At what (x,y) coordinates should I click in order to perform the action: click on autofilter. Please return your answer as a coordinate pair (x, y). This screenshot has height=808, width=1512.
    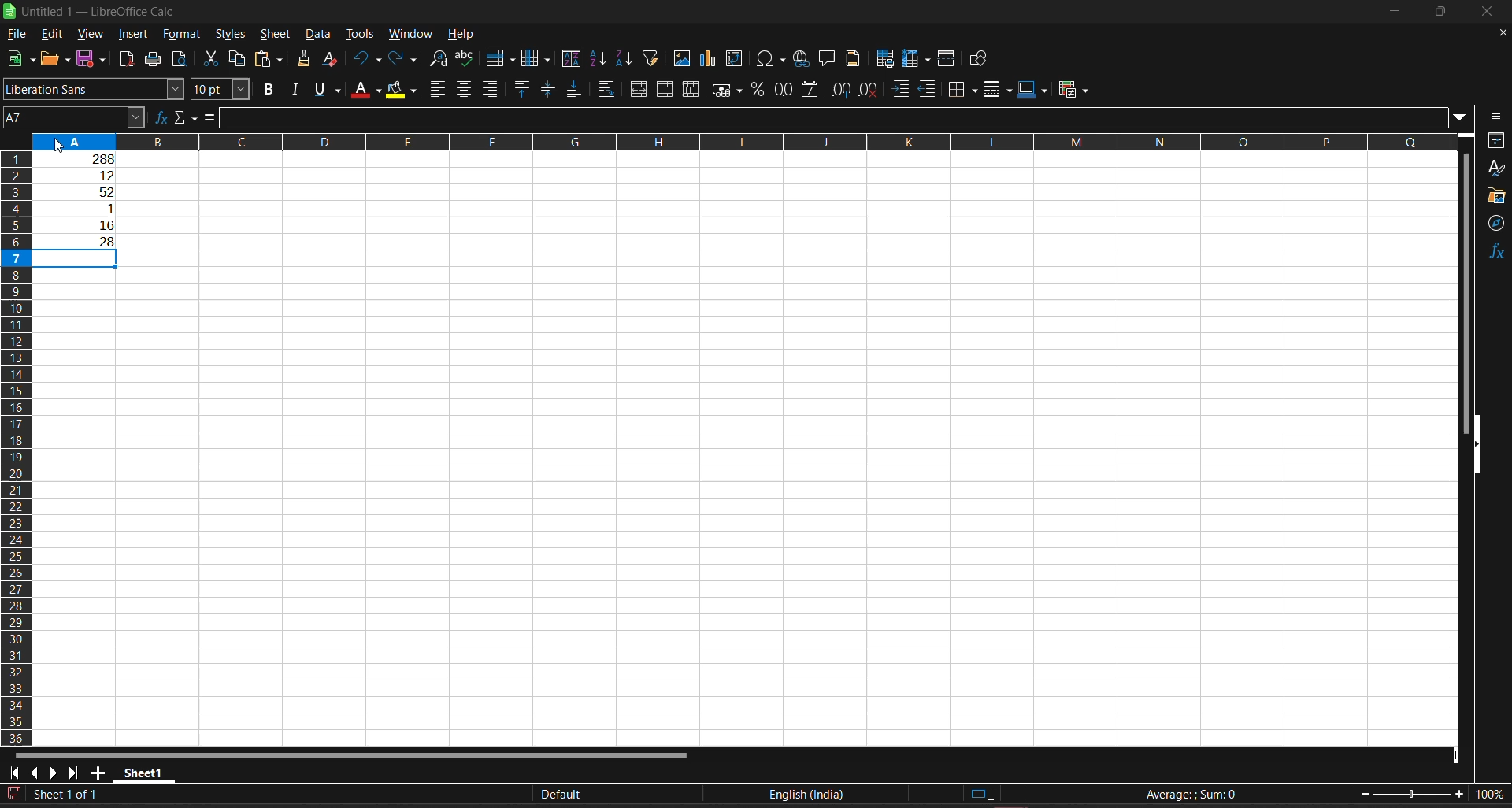
    Looking at the image, I should click on (650, 58).